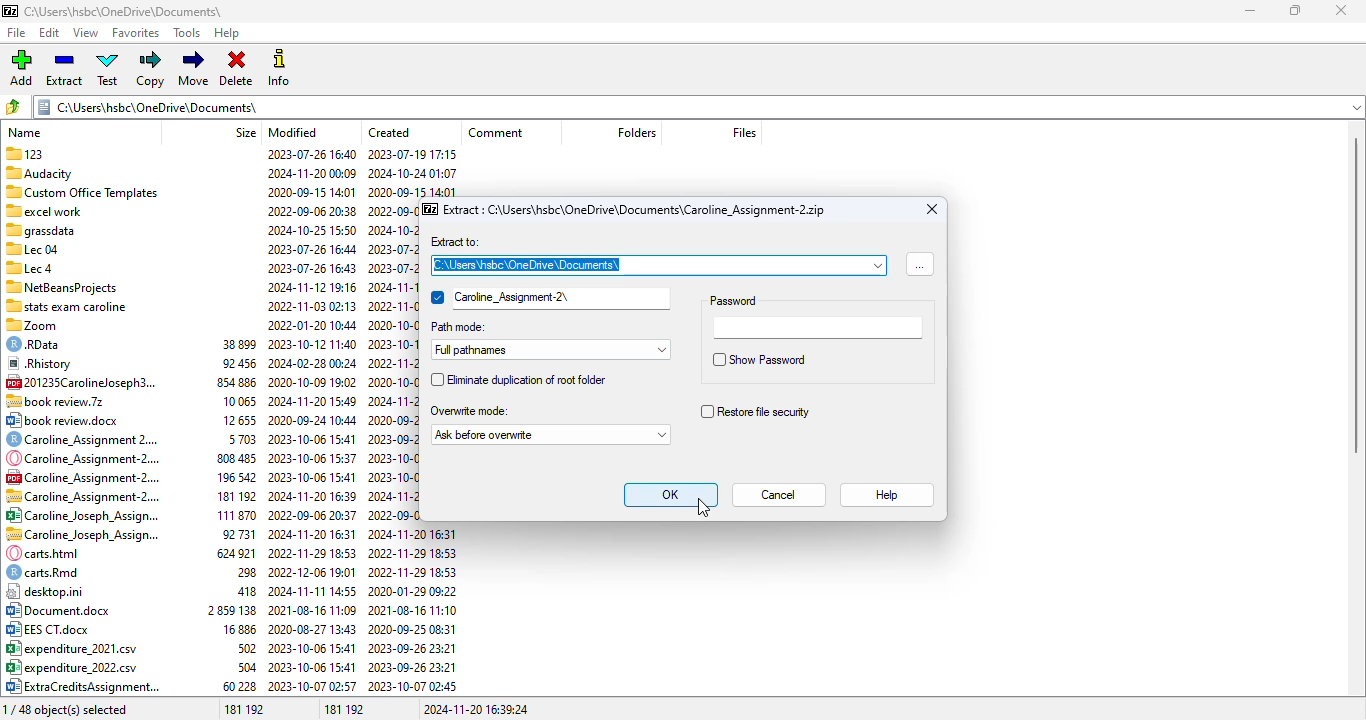 The image size is (1366, 720). I want to click on name, so click(25, 132).